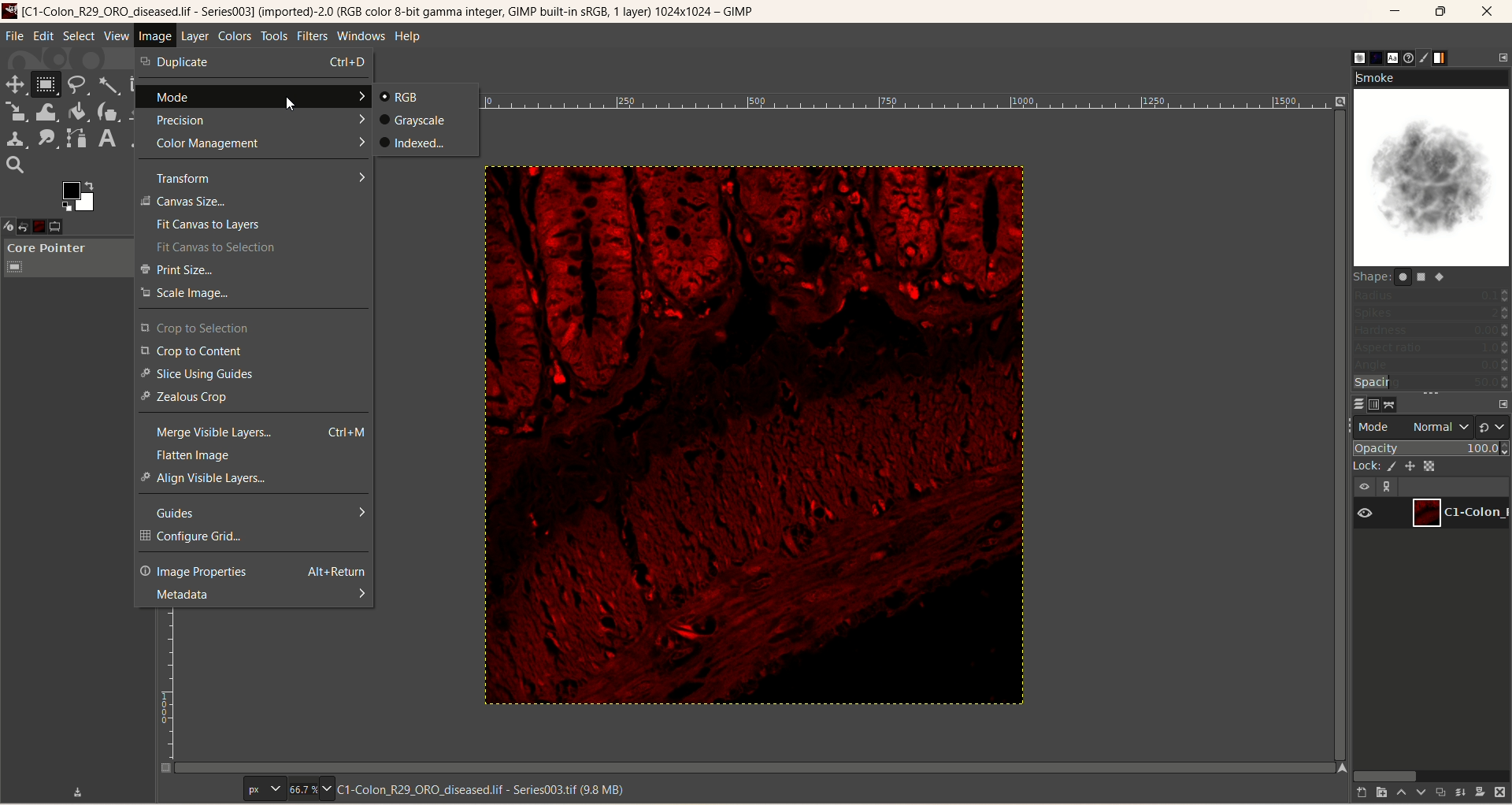 The width and height of the screenshot is (1512, 805). Describe the element at coordinates (254, 119) in the screenshot. I see `precision` at that location.